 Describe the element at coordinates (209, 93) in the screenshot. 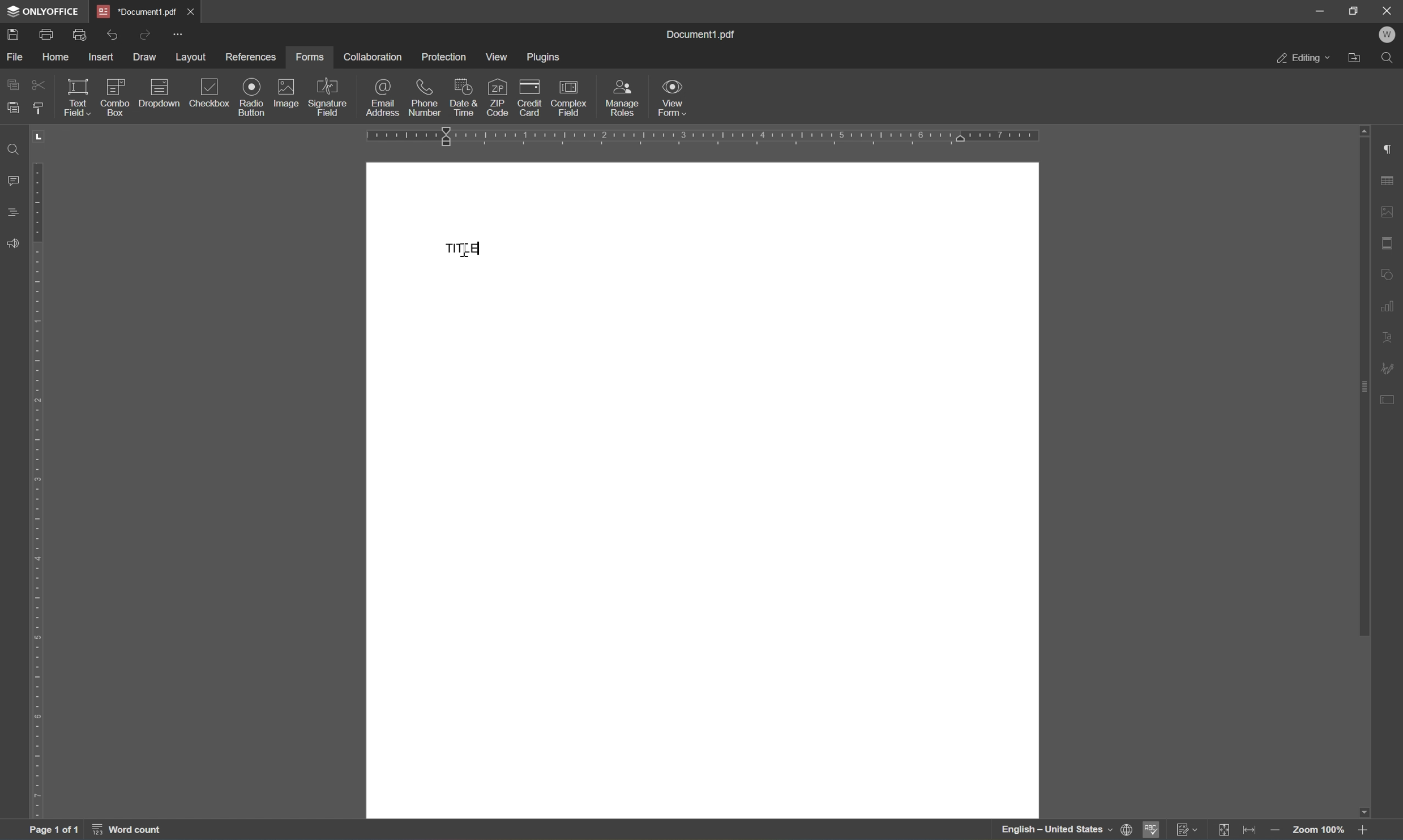

I see `checkbox` at that location.